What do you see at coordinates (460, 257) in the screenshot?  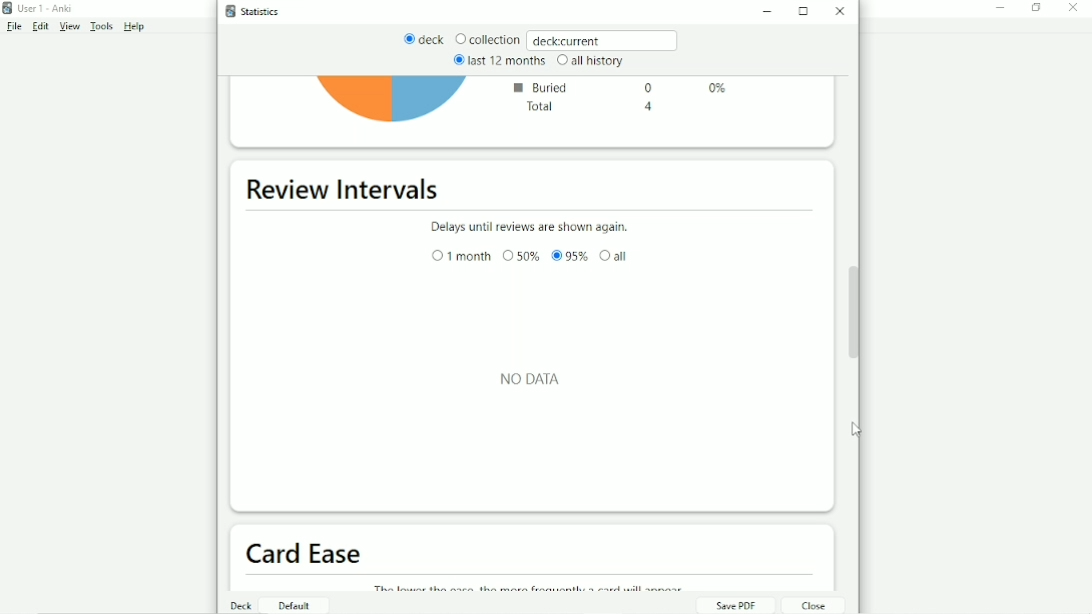 I see `1 month` at bounding box center [460, 257].